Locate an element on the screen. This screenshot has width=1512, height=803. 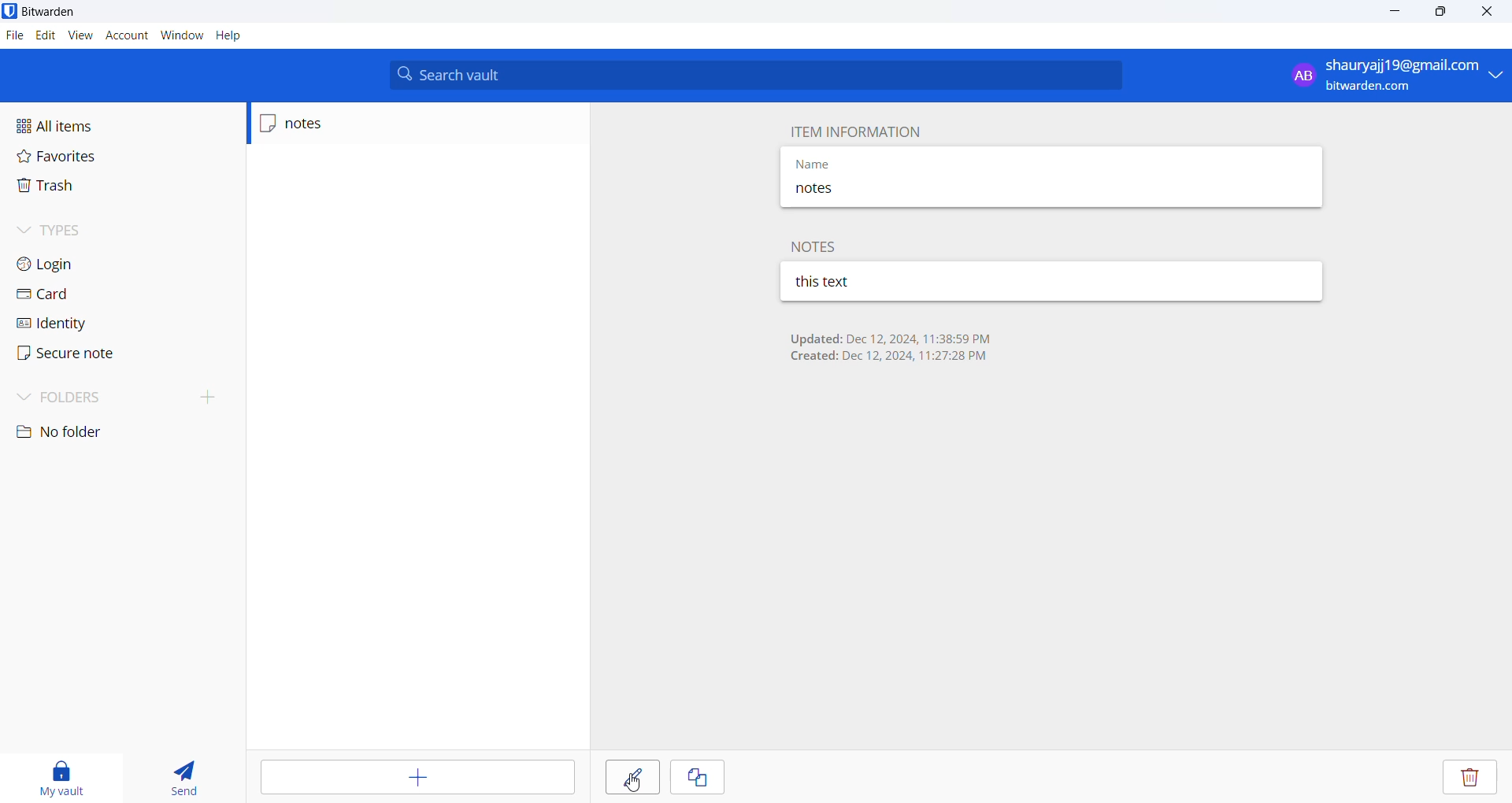
this text is located at coordinates (883, 282).